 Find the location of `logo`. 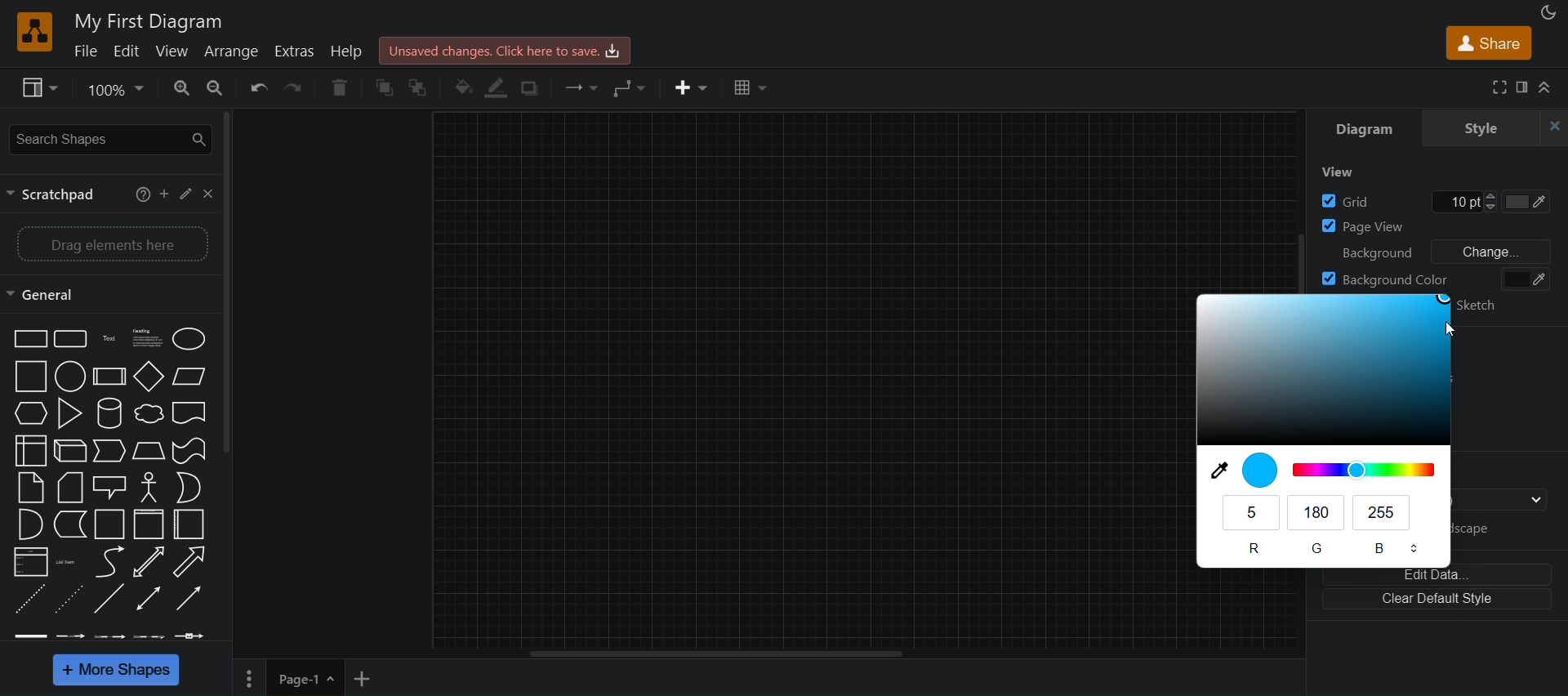

logo is located at coordinates (35, 30).